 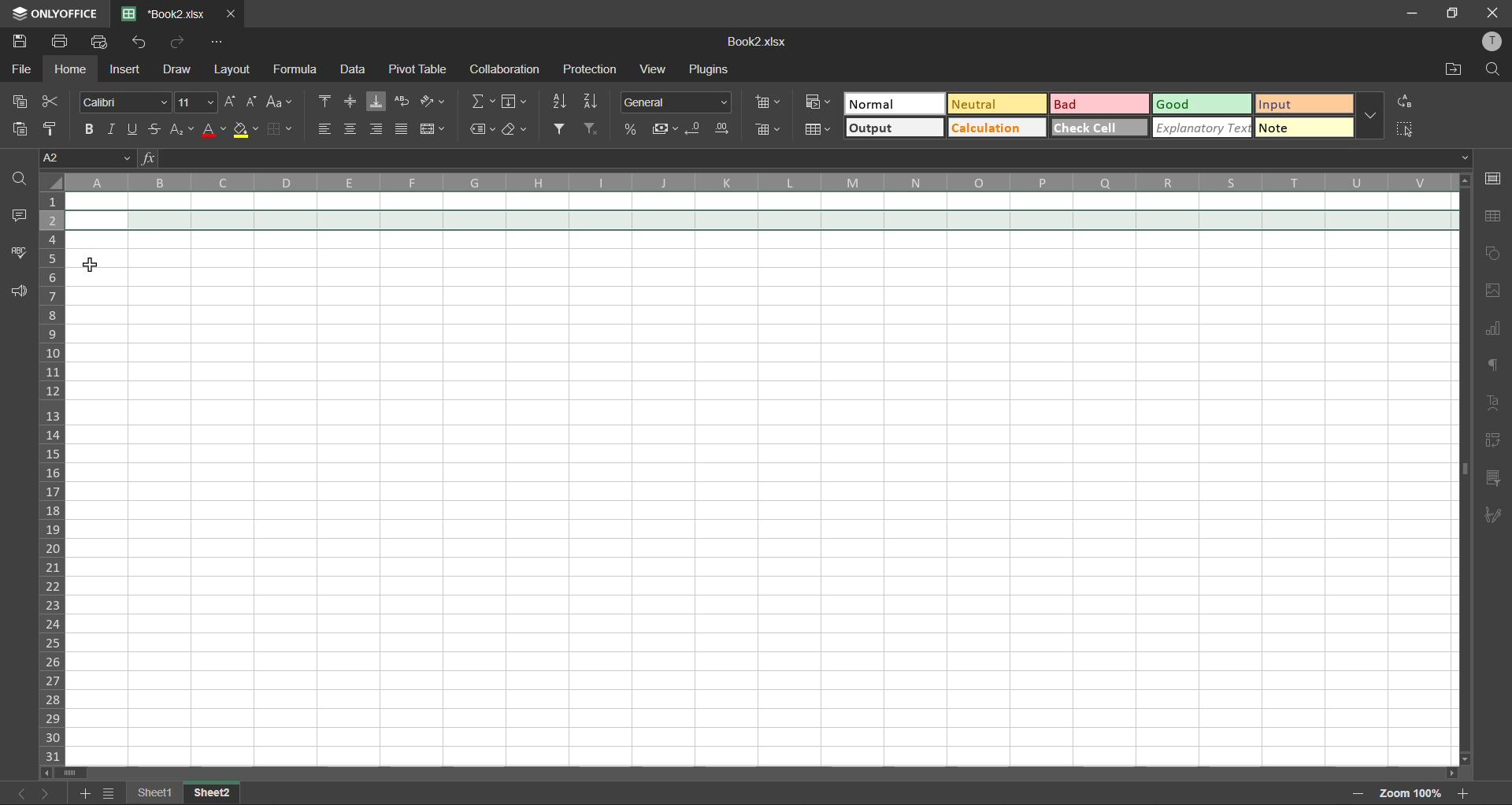 I want to click on summation, so click(x=482, y=102).